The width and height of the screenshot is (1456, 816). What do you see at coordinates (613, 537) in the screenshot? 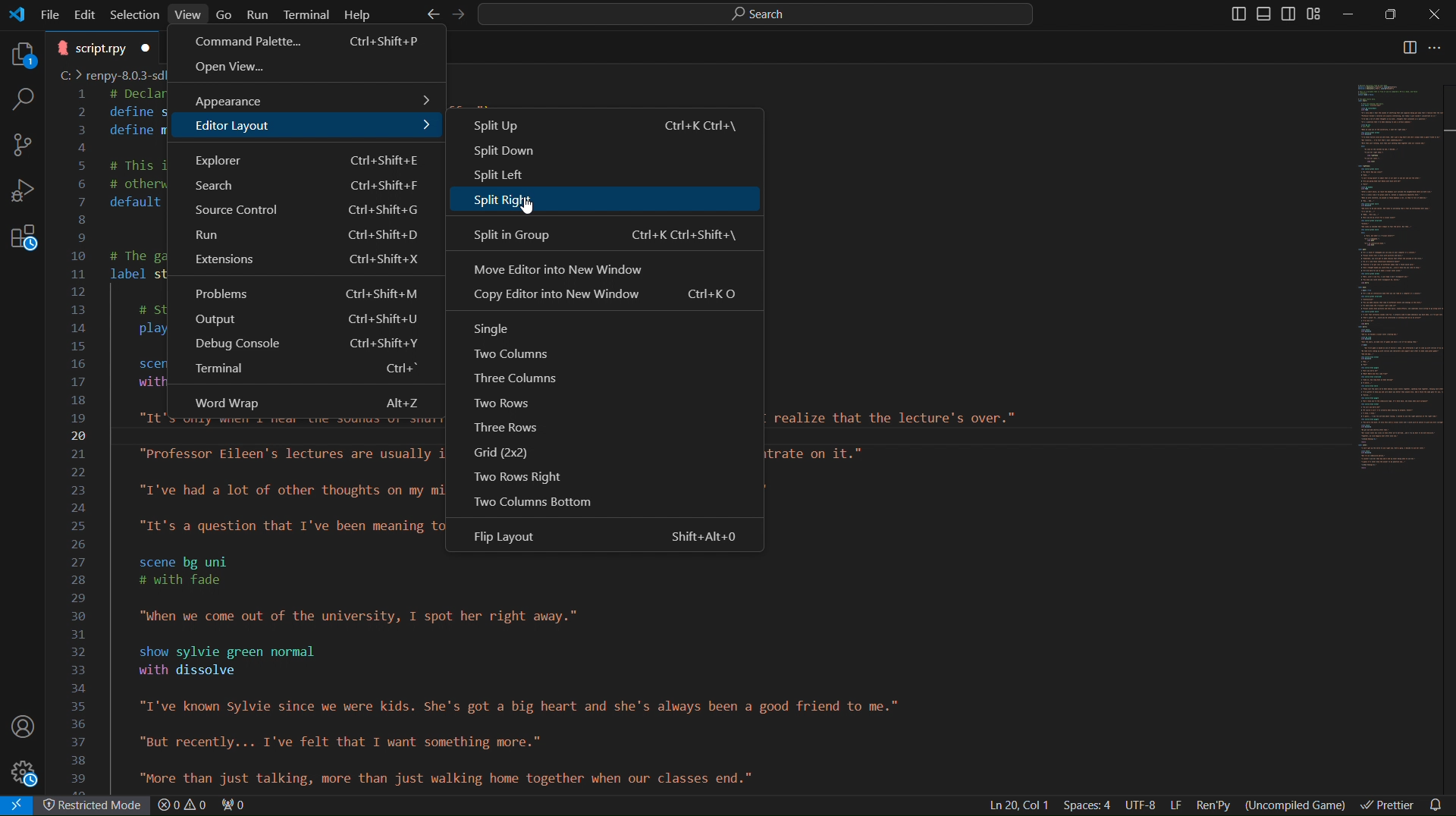
I see `Flip Layout   shift+alt+0` at bounding box center [613, 537].